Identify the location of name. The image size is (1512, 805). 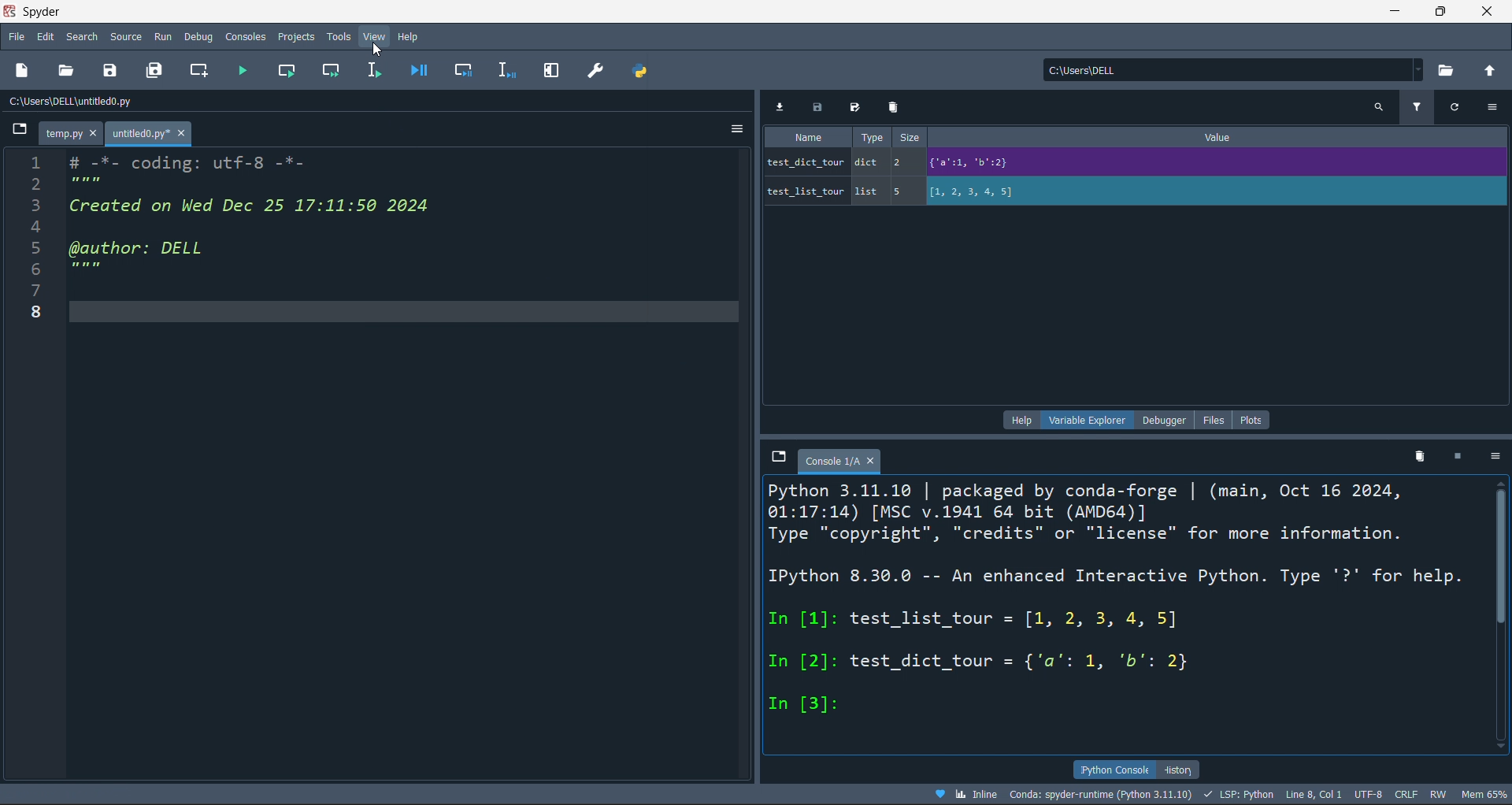
(807, 138).